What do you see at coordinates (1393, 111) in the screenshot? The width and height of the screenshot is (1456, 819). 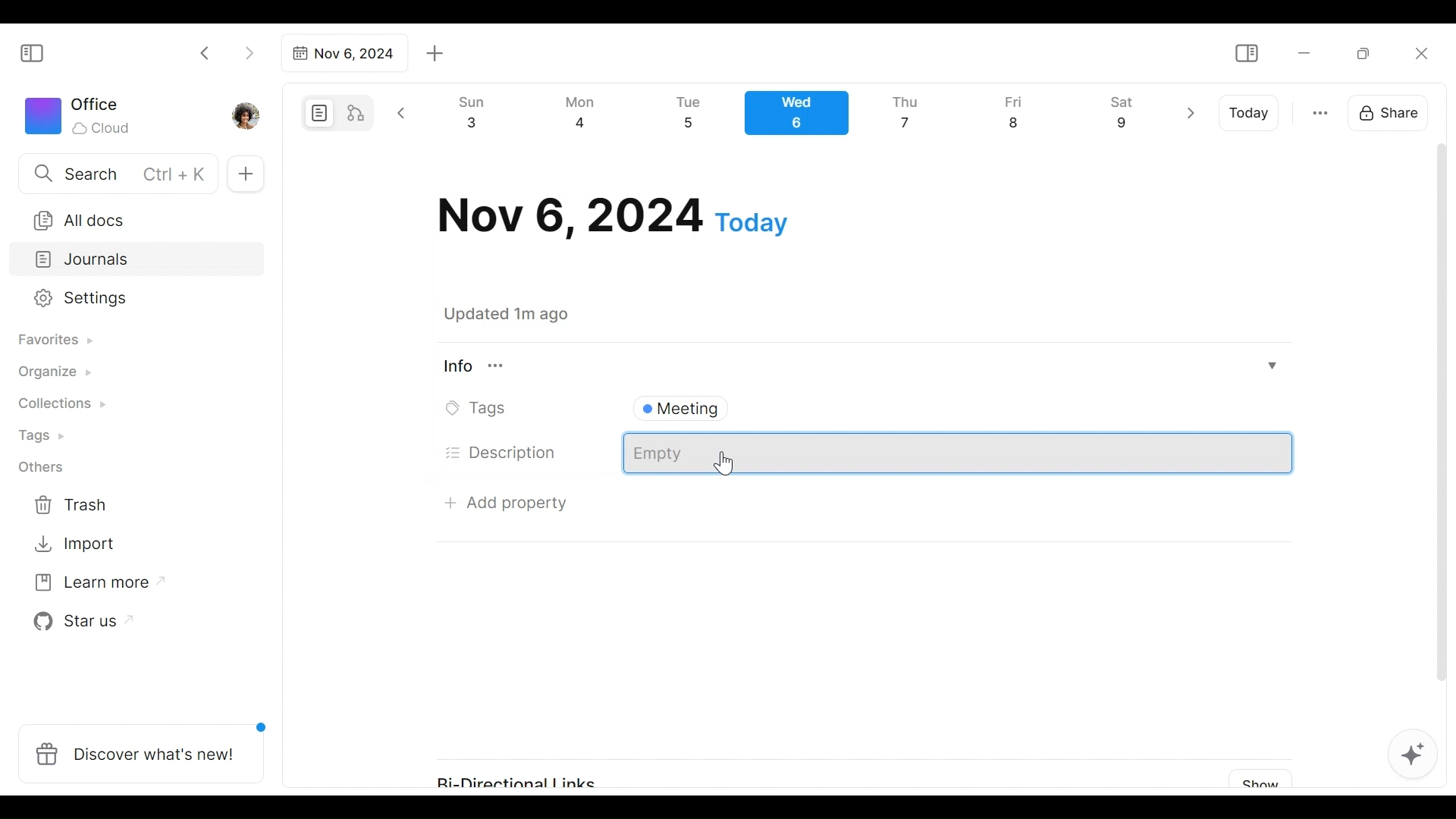 I see `Share` at bounding box center [1393, 111].